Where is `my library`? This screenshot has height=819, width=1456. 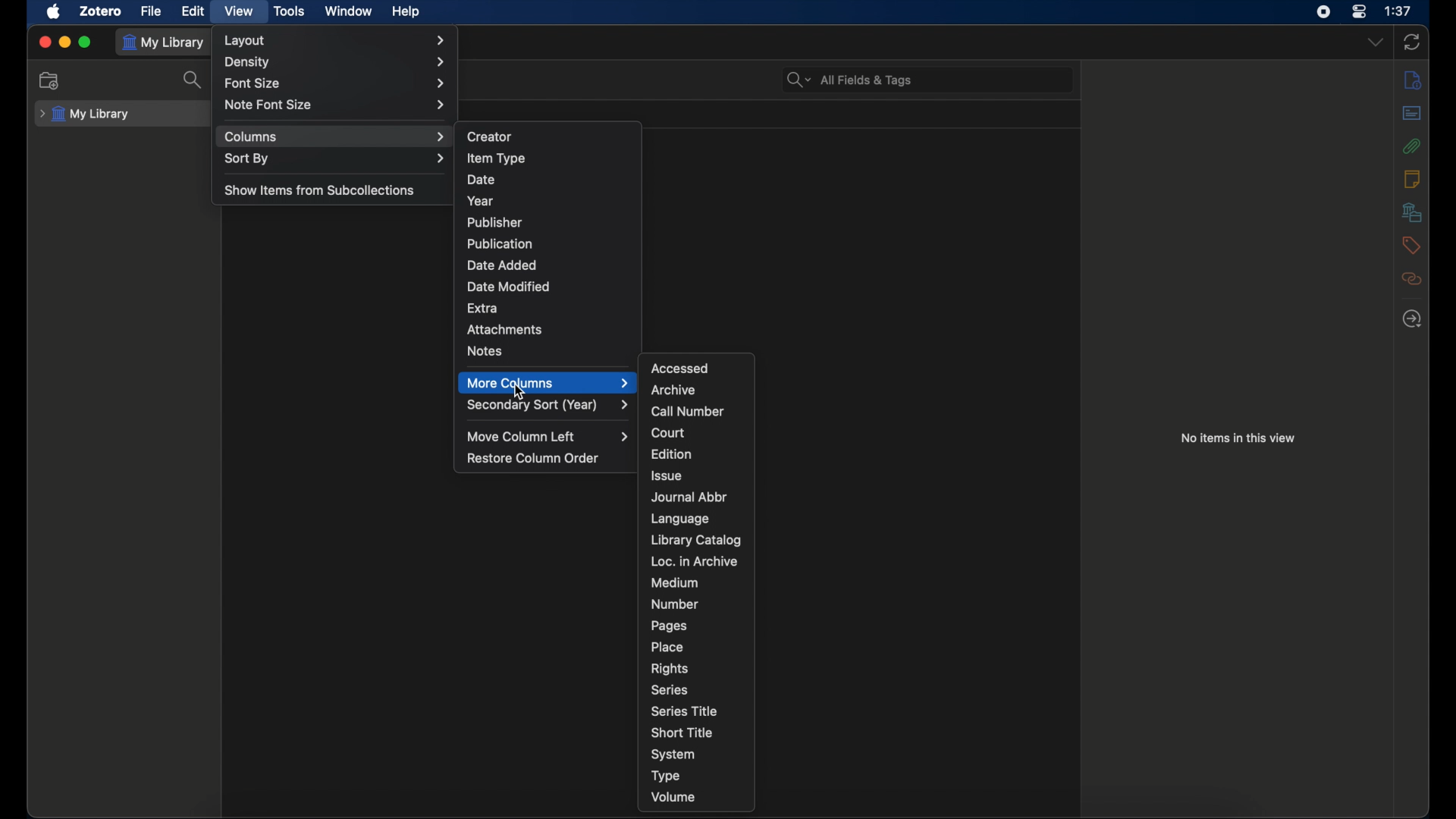 my library is located at coordinates (85, 115).